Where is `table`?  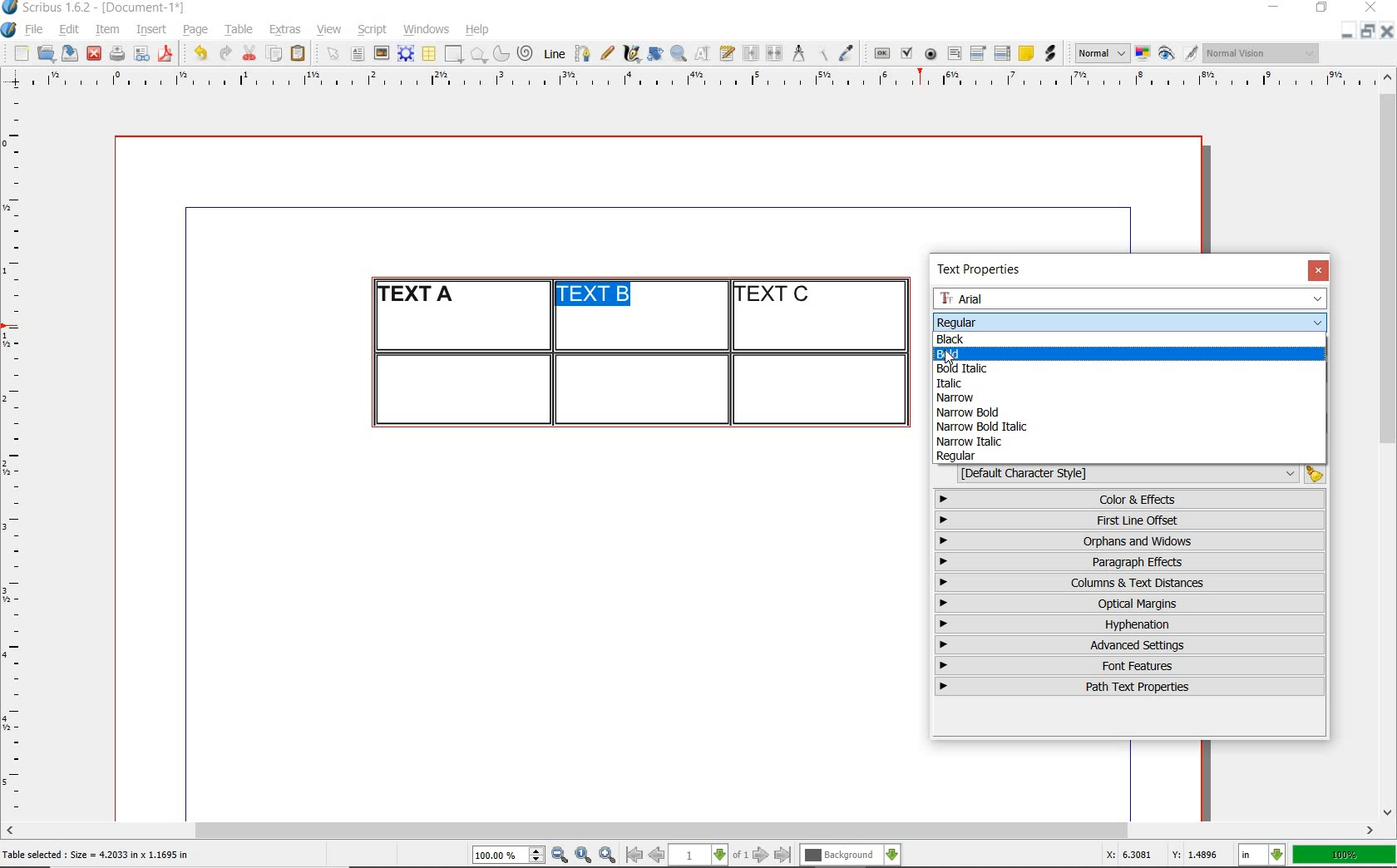 table is located at coordinates (239, 30).